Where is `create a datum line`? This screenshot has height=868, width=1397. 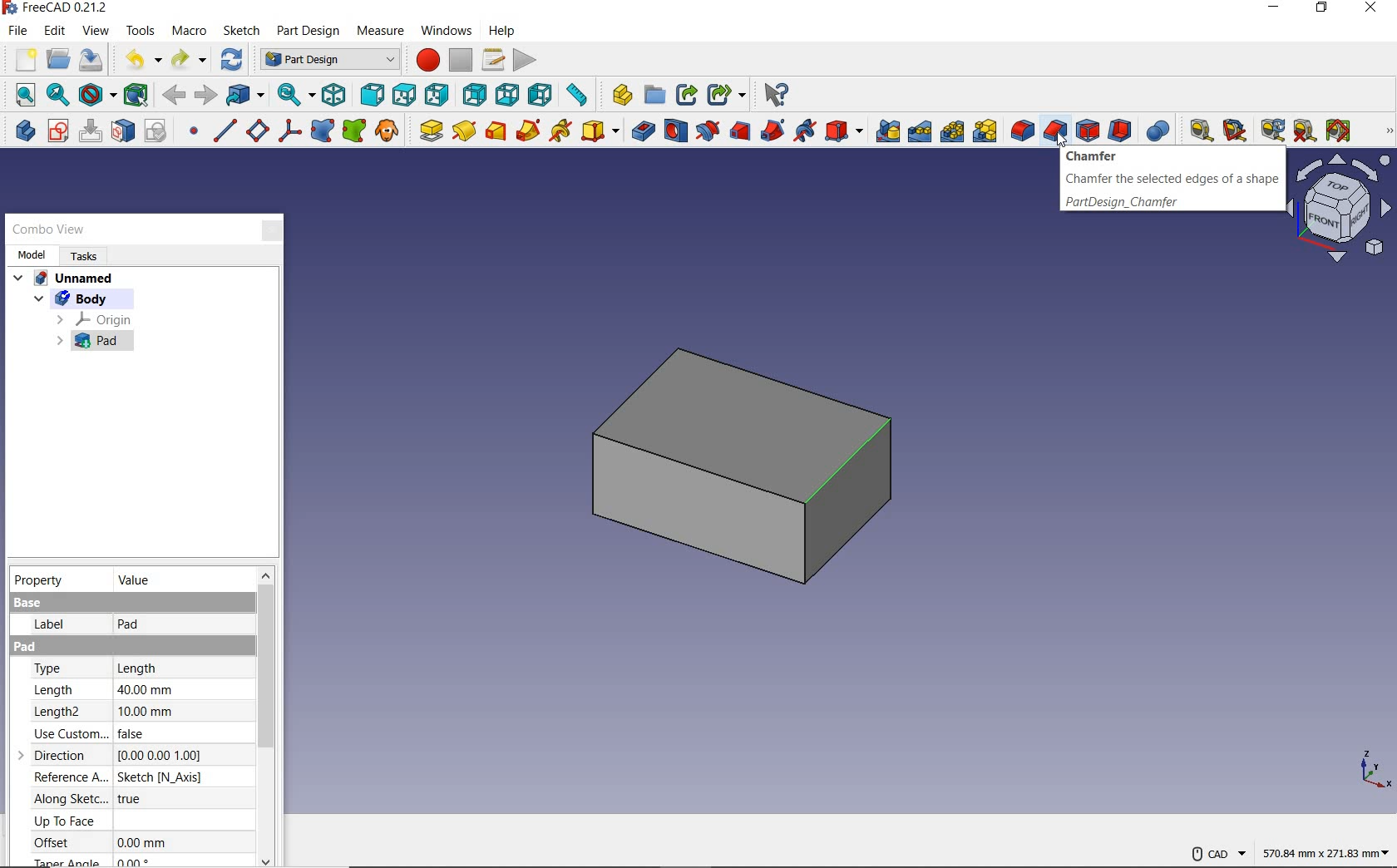 create a datum line is located at coordinates (225, 131).